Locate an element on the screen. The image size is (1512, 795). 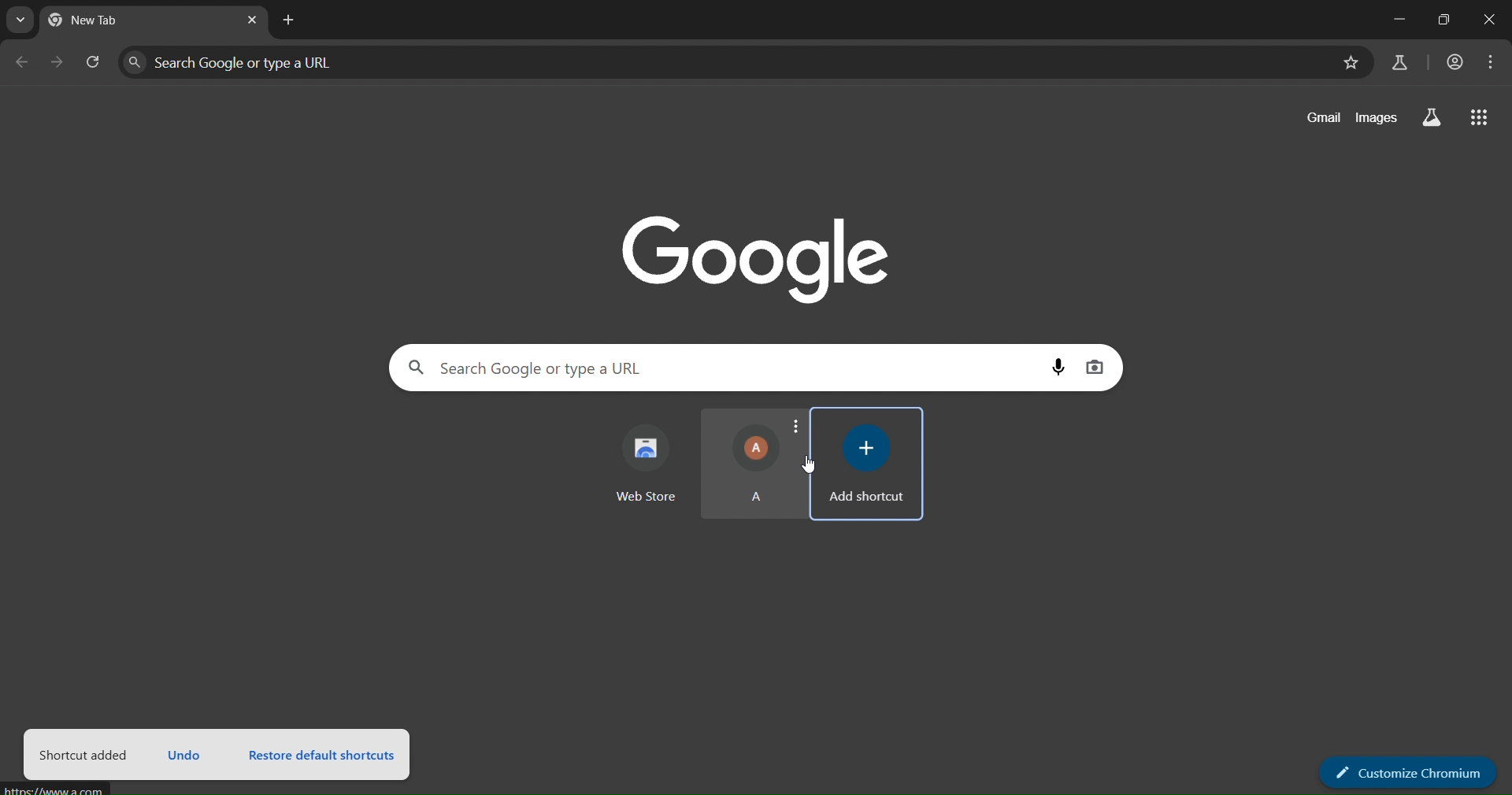
minimize is located at coordinates (1395, 22).